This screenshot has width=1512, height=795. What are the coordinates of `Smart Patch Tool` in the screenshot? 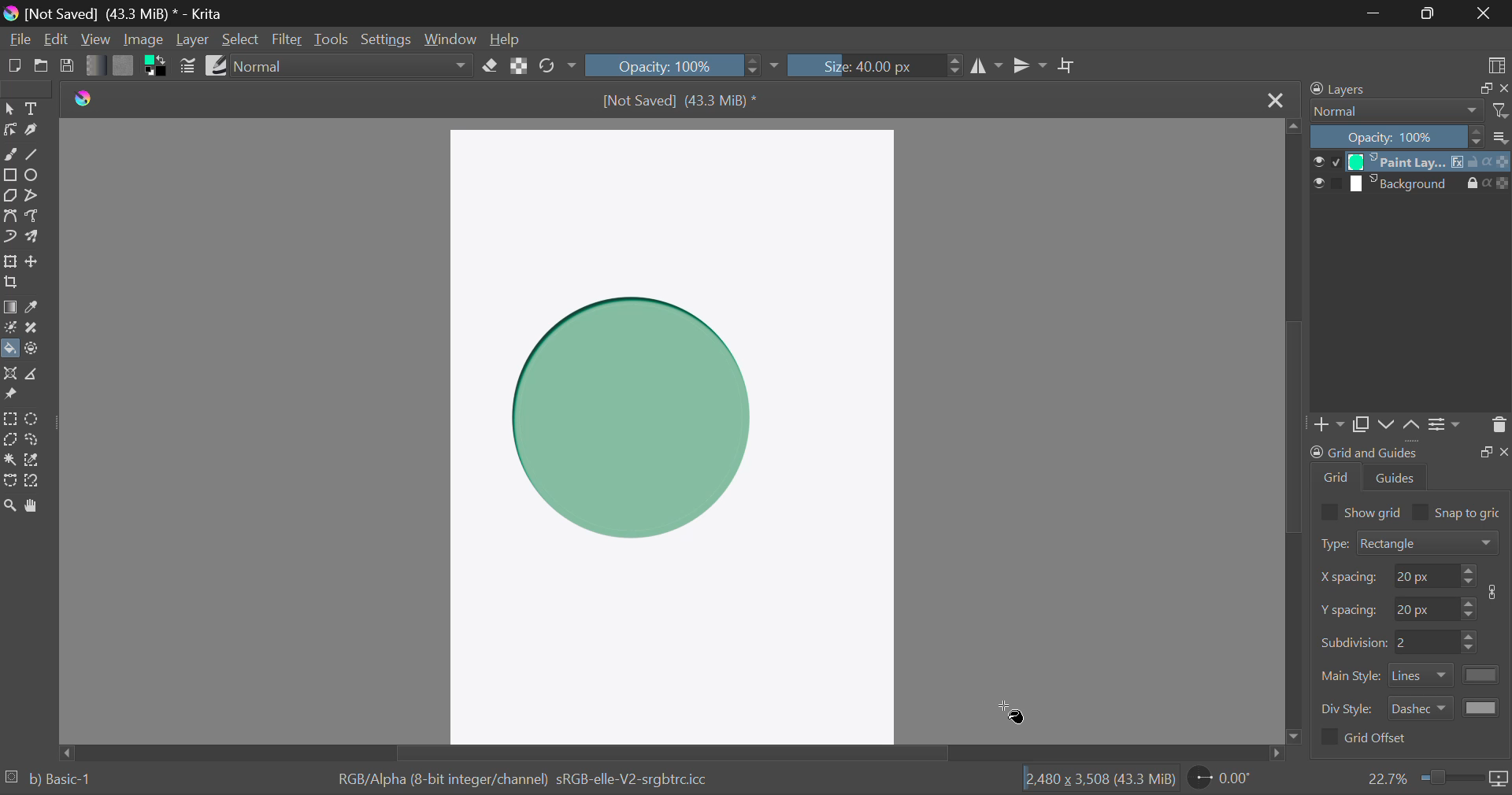 It's located at (32, 328).